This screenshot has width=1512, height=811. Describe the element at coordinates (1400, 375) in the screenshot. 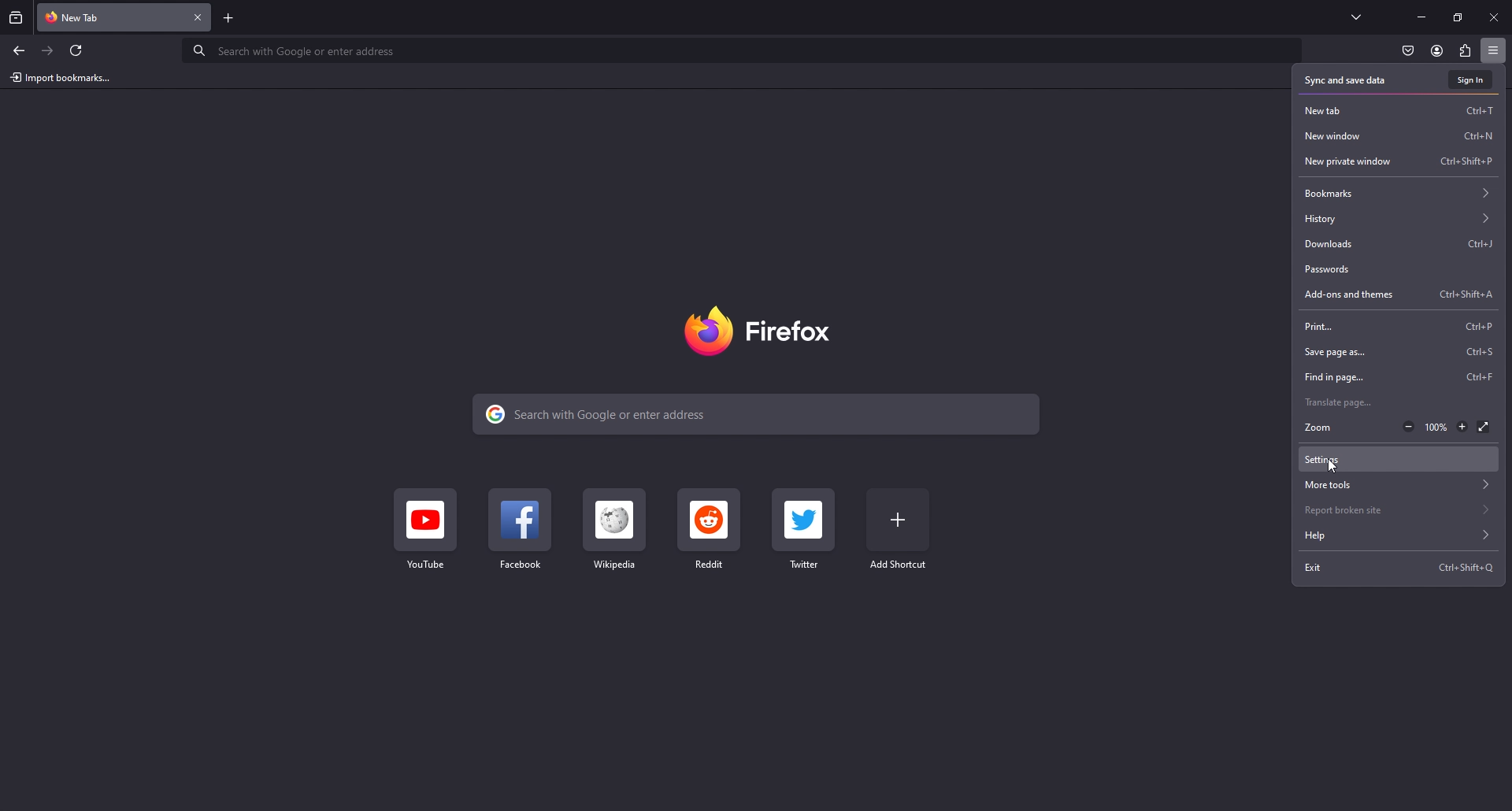

I see `find in page` at that location.